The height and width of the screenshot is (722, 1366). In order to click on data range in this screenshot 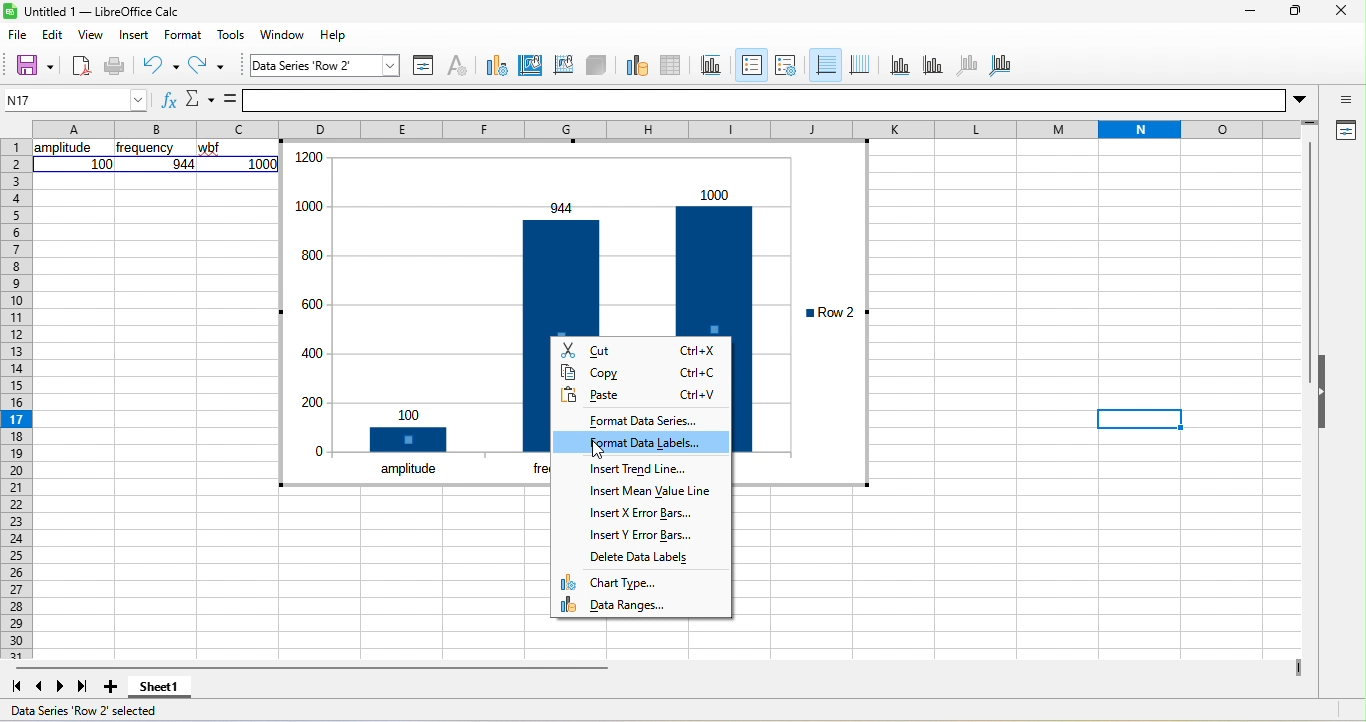, I will do `click(637, 67)`.